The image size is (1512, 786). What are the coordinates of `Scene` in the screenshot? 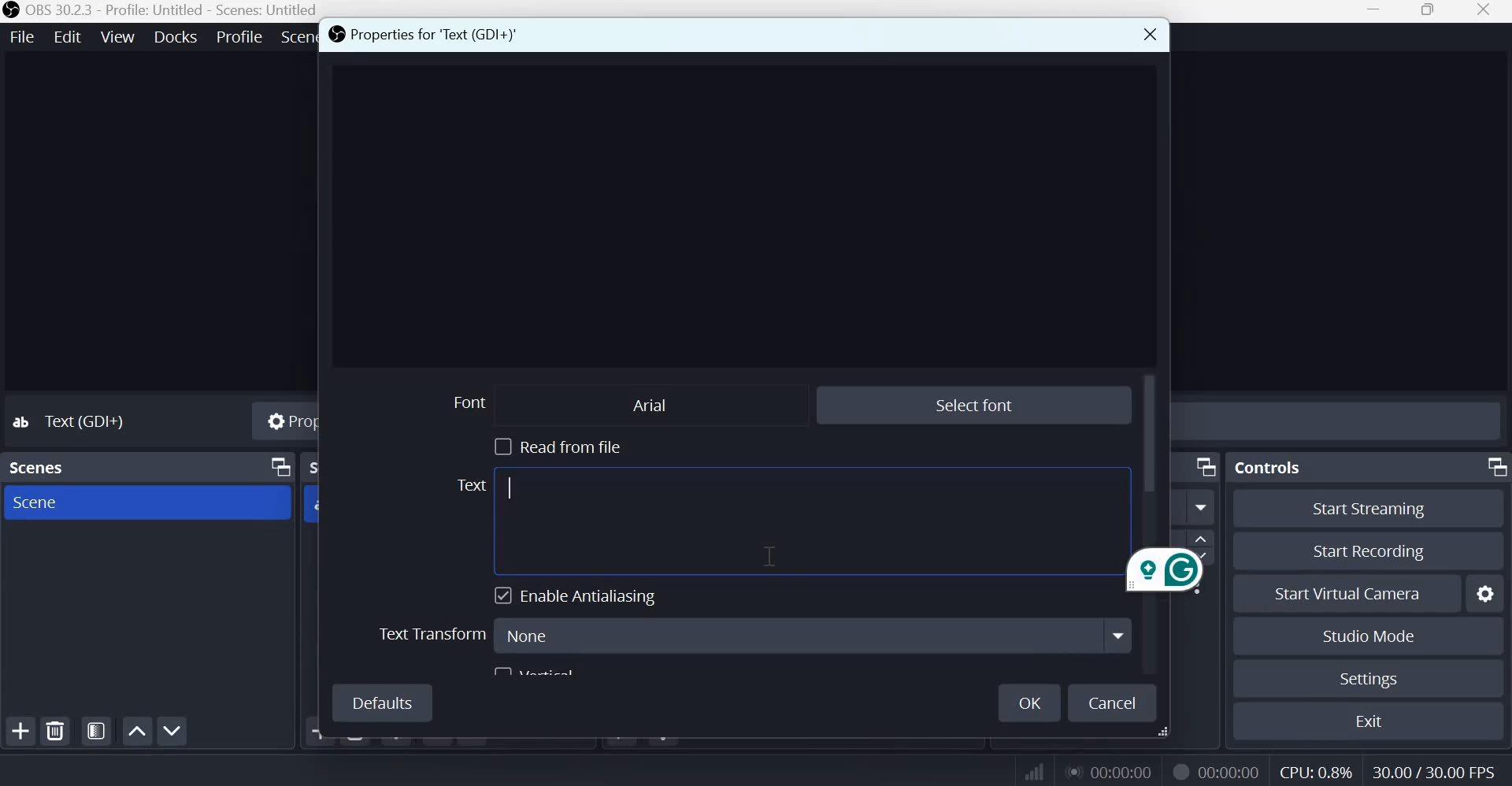 It's located at (51, 502).